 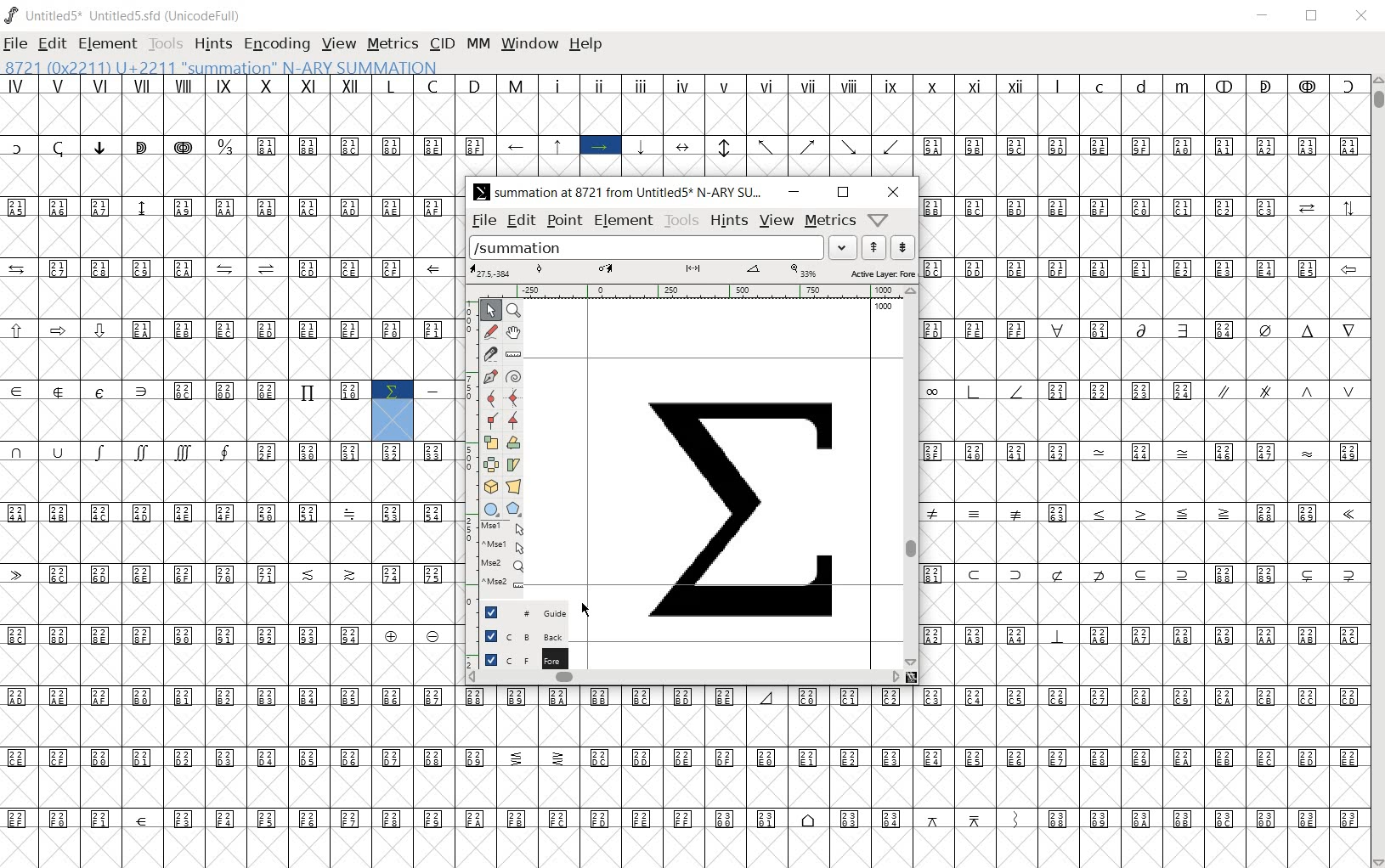 I want to click on mse1 mse1 mse2 mse2, so click(x=501, y=555).